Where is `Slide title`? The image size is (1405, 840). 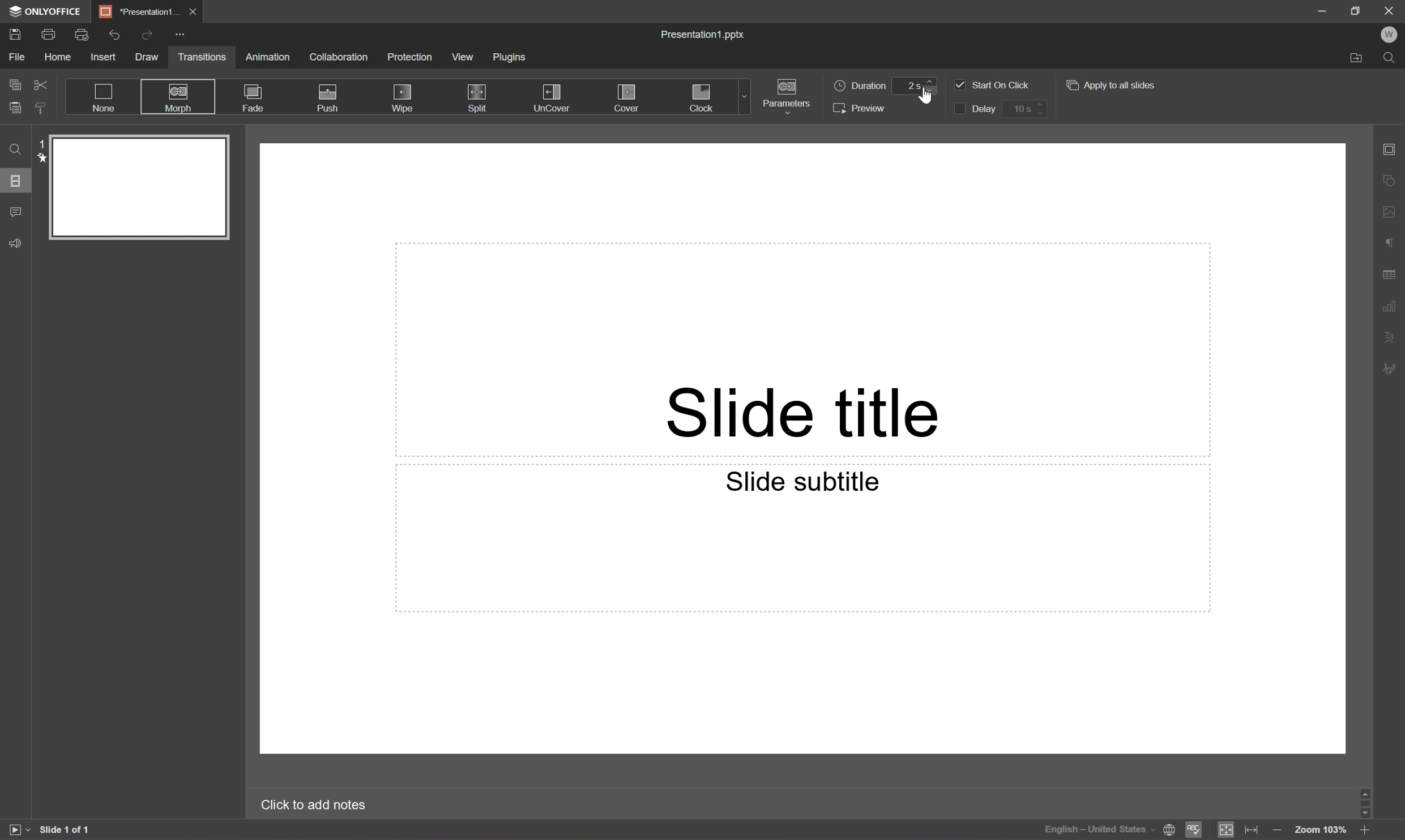 Slide title is located at coordinates (802, 414).